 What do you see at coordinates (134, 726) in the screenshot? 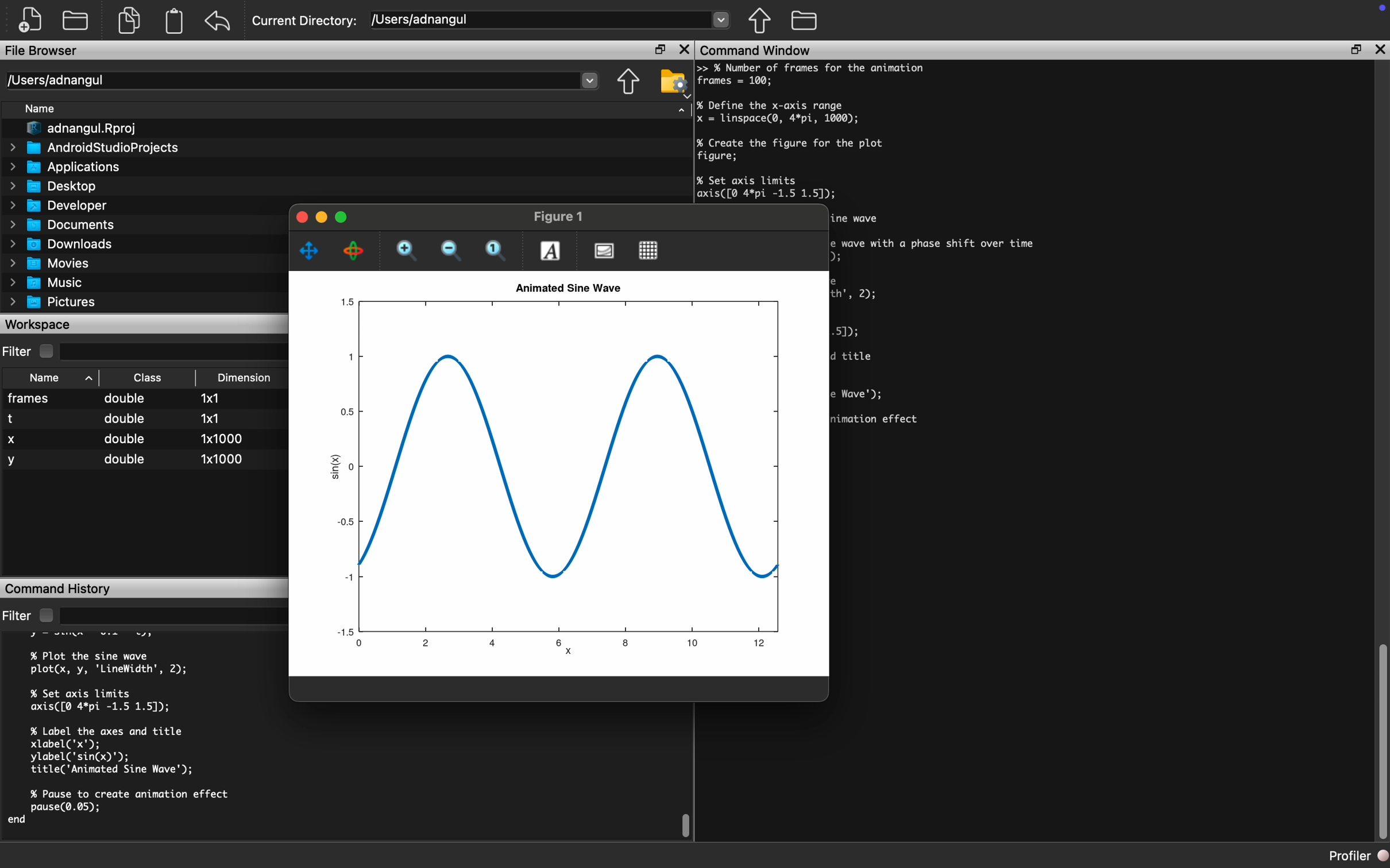
I see `% Plot the sine wave
plot(x, y, 'LineWidth', 2);
% Set axis limits
axis([@ 4*pi -1.5 1.5]);
% Label the axes and title
xlabel('x");
ylabel('sin(x)");
title('Animated Sine Wave');
% Pause to create animation effect
pause(0.05);

end` at bounding box center [134, 726].